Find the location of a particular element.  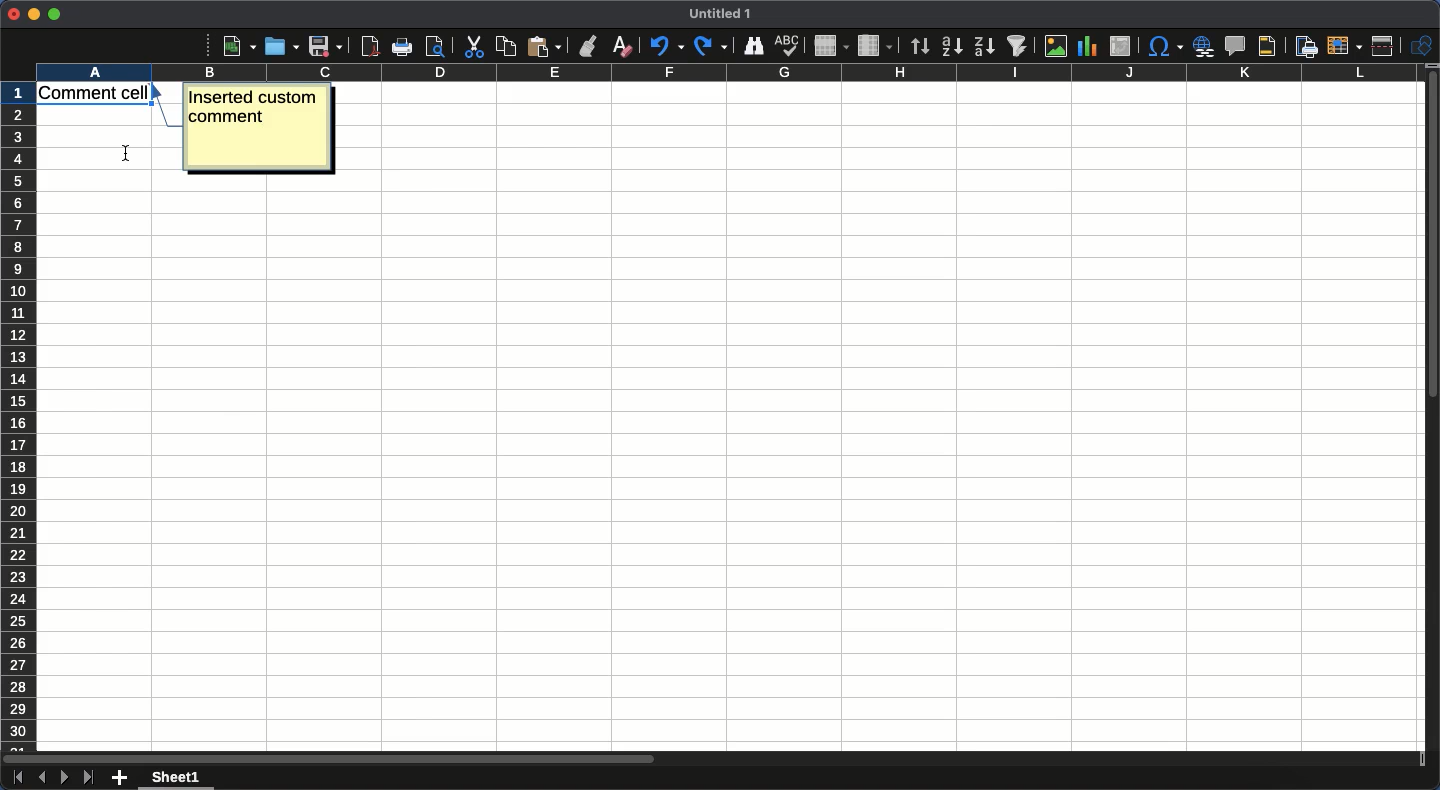

Finder is located at coordinates (755, 45).